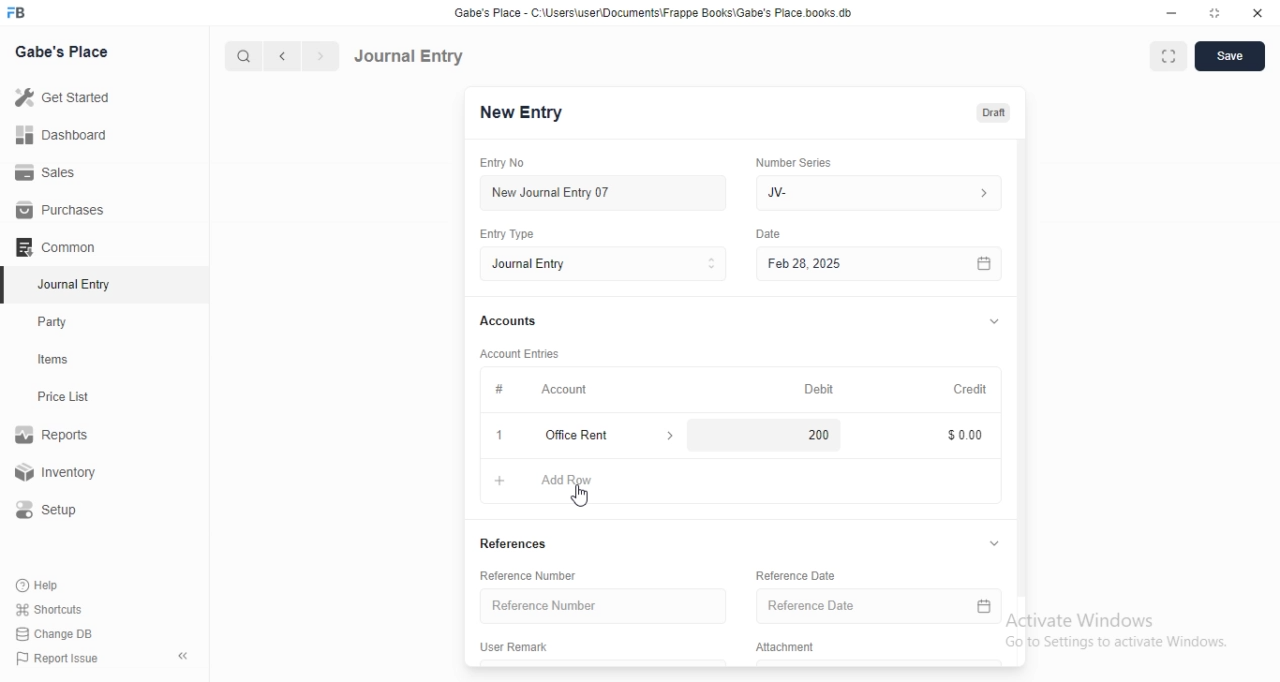  What do you see at coordinates (602, 264) in the screenshot?
I see `Entry Type` at bounding box center [602, 264].